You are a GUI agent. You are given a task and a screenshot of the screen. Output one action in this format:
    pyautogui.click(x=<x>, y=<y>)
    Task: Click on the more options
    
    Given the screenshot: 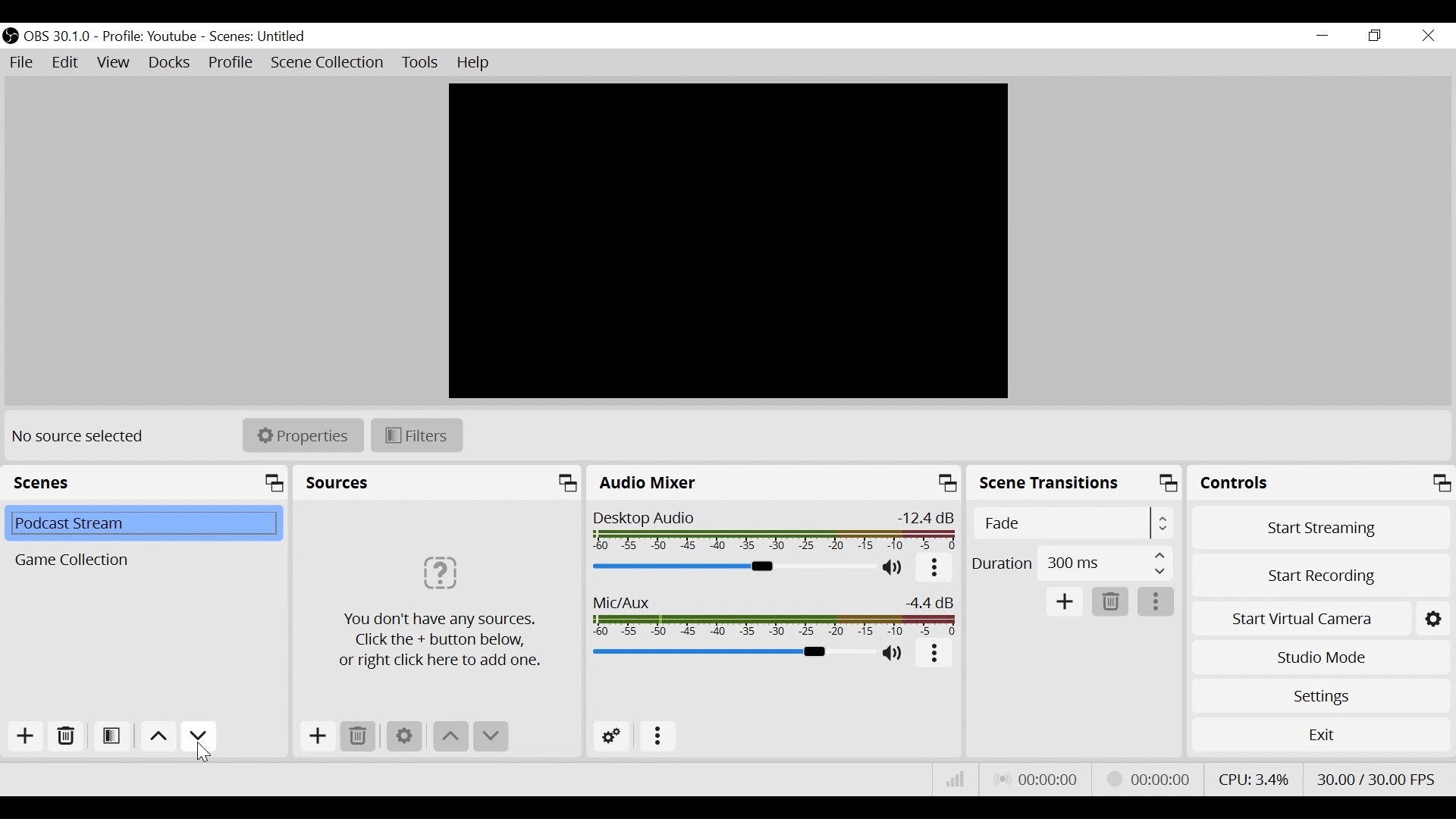 What is the action you would take?
    pyautogui.click(x=659, y=736)
    